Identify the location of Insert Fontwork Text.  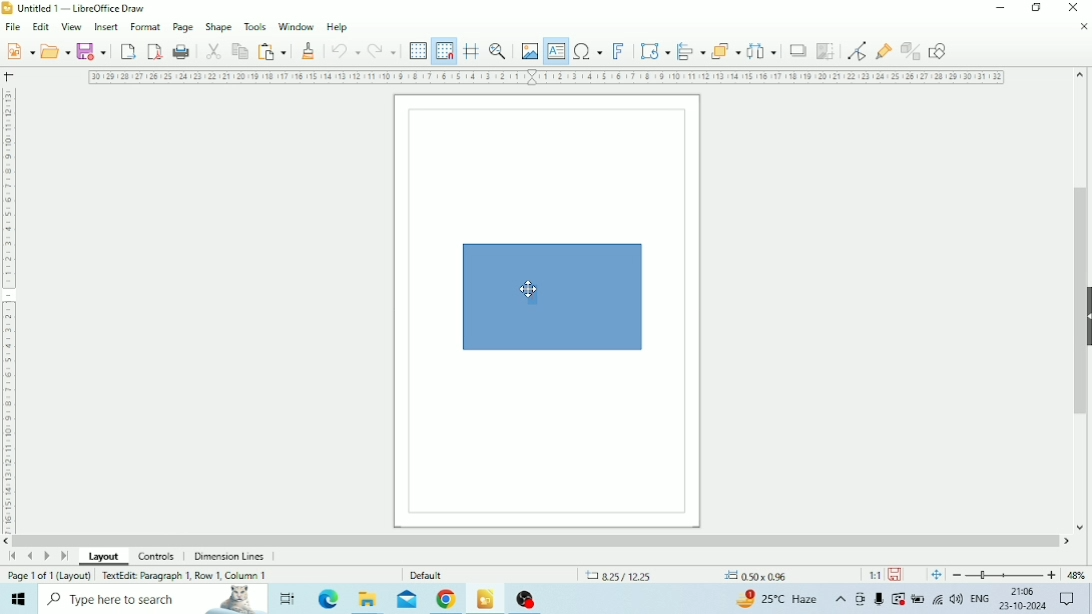
(620, 52).